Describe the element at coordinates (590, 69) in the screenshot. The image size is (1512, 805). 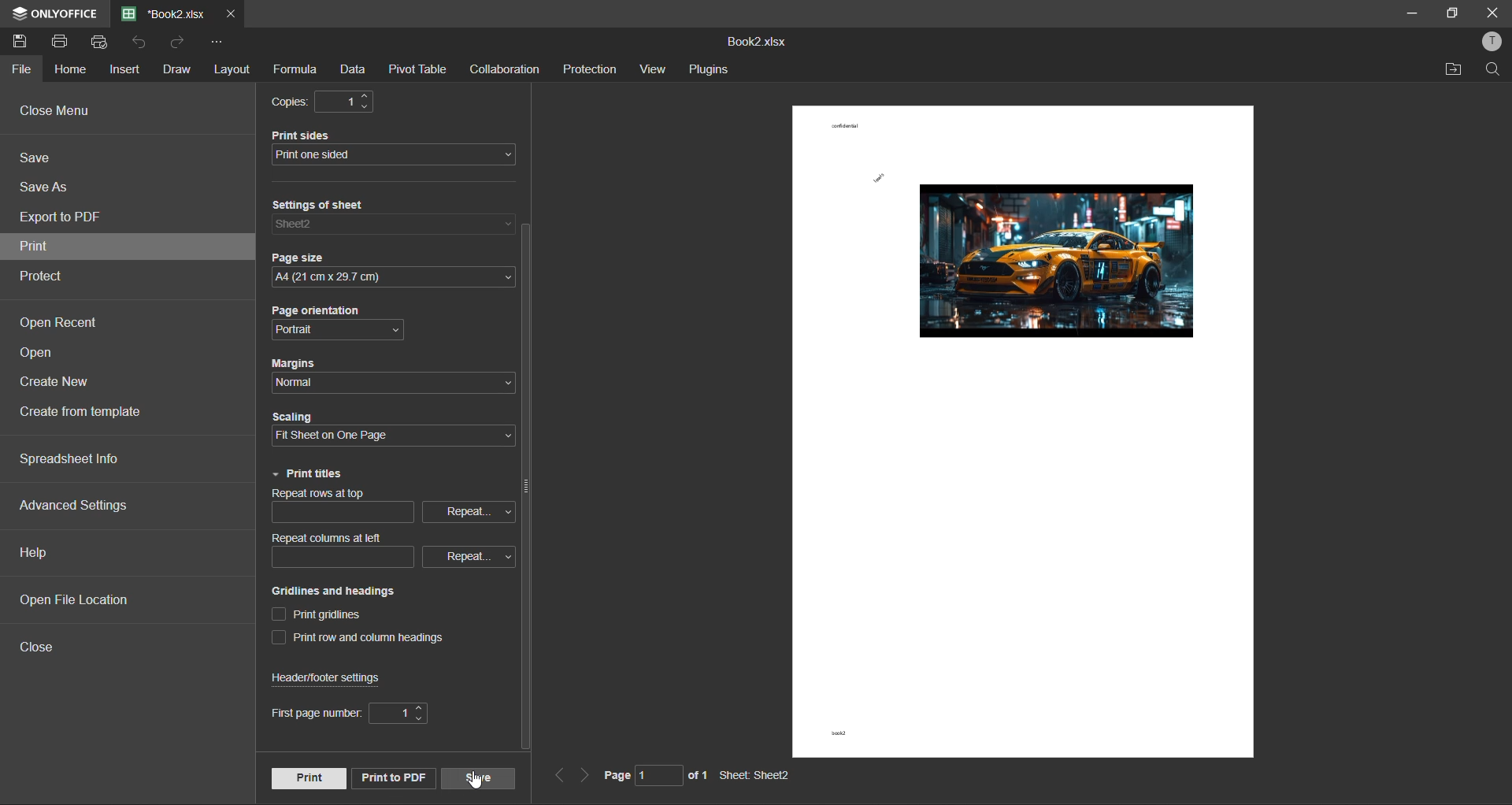
I see `protection` at that location.